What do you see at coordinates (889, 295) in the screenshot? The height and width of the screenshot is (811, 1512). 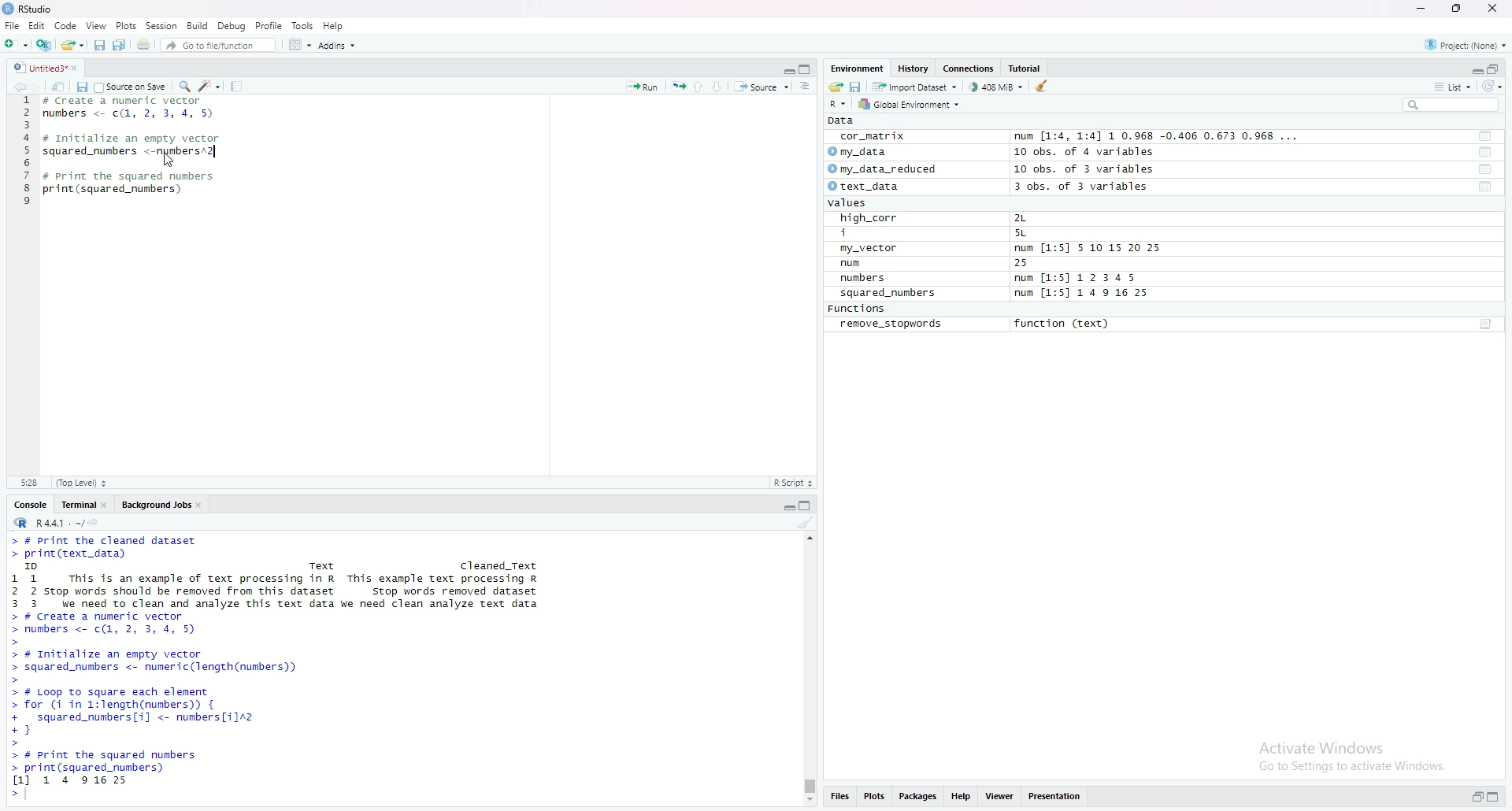 I see `squared_numbers` at bounding box center [889, 295].